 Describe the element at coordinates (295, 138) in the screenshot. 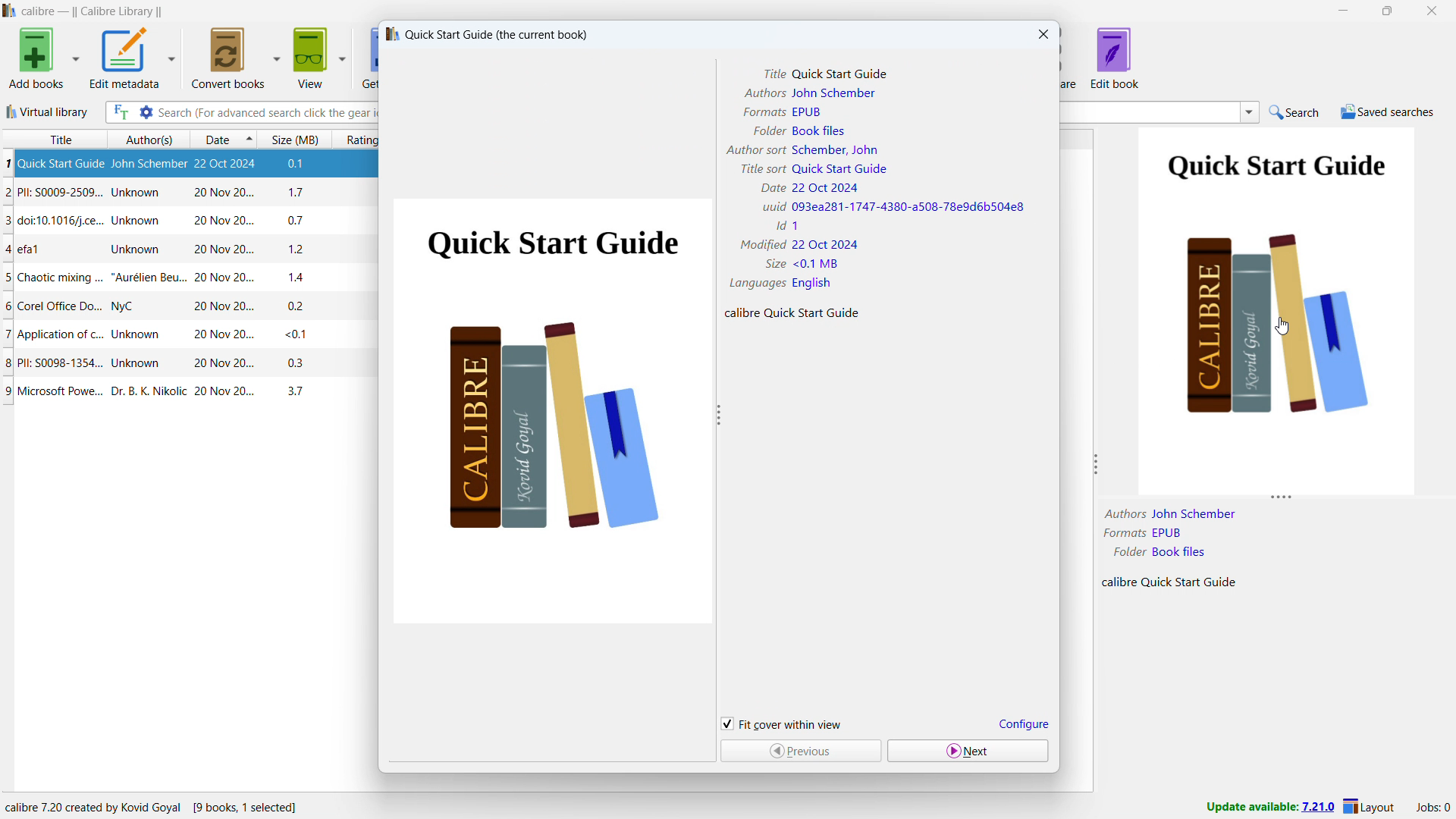

I see `size` at that location.